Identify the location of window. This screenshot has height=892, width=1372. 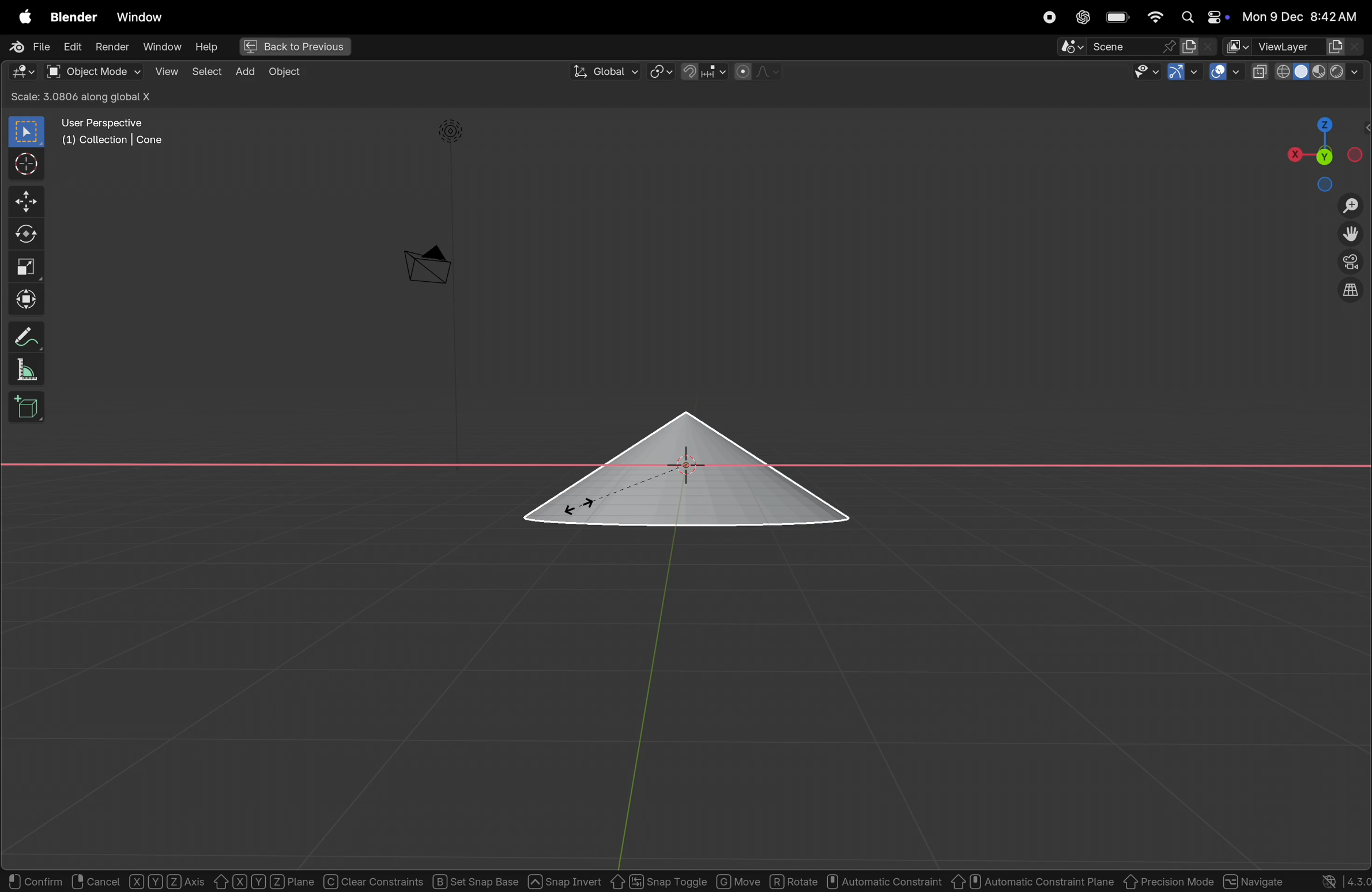
(163, 48).